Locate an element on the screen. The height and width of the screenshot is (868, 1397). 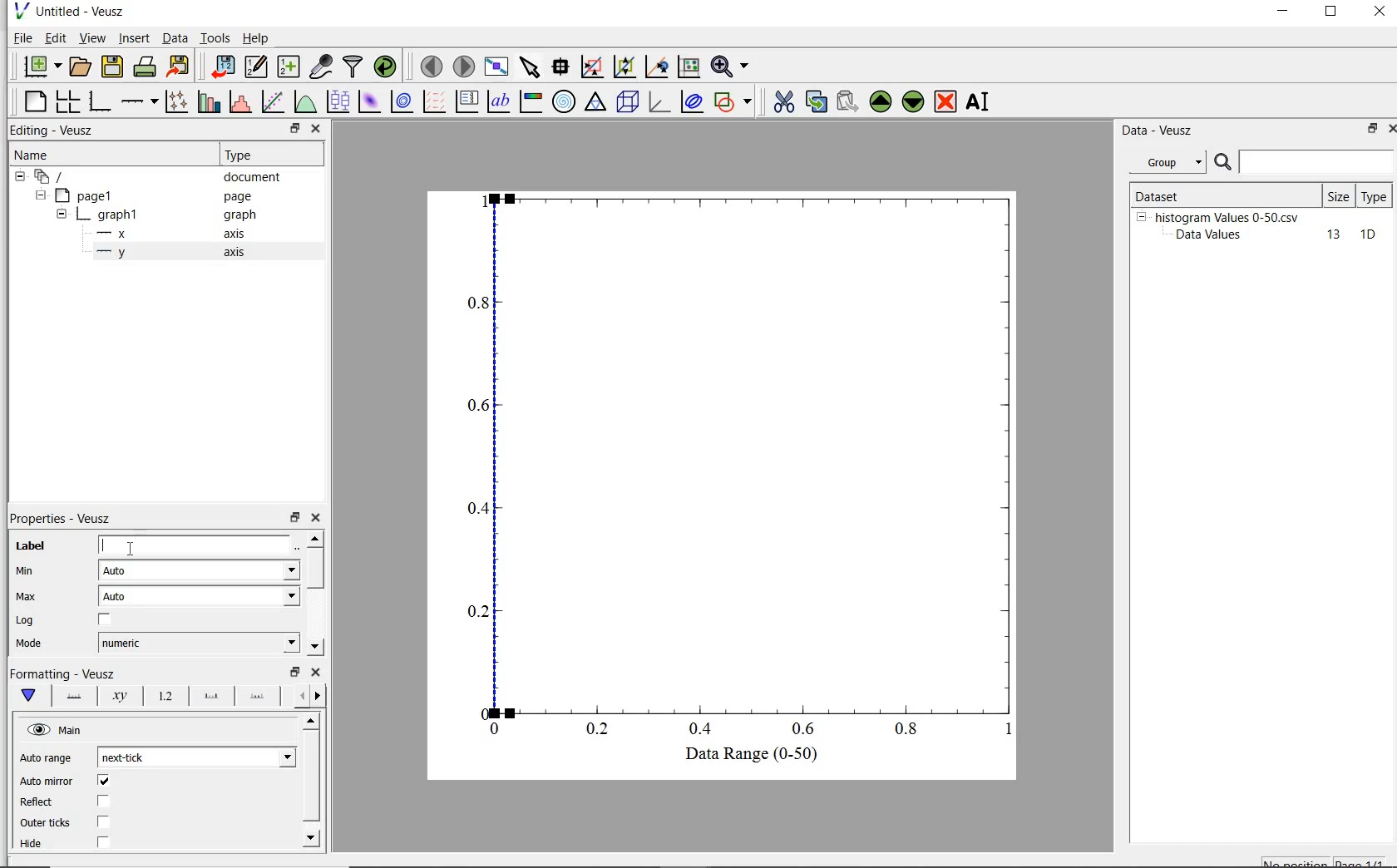
save is located at coordinates (113, 65).